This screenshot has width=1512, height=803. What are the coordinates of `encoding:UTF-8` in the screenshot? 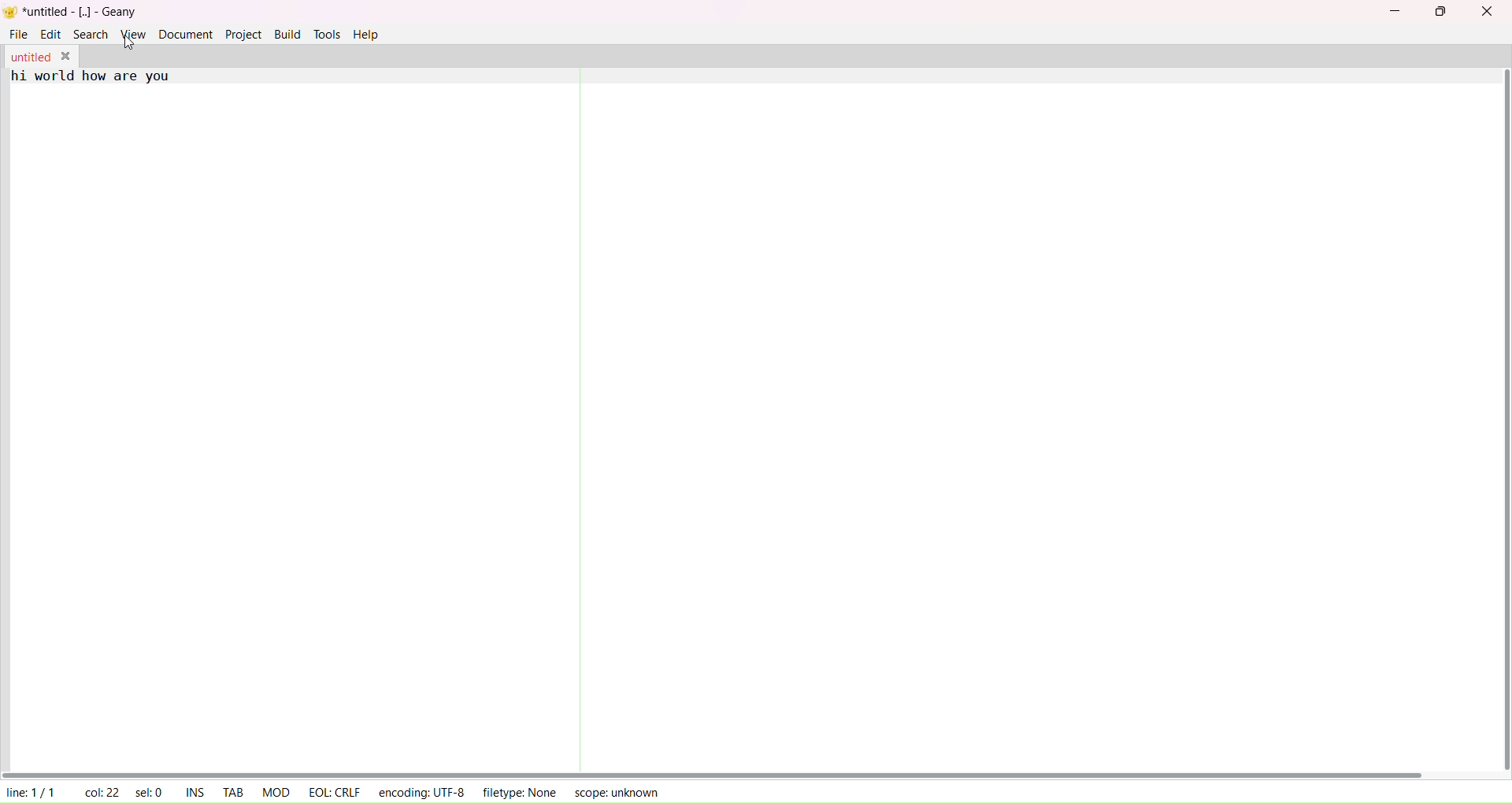 It's located at (425, 790).